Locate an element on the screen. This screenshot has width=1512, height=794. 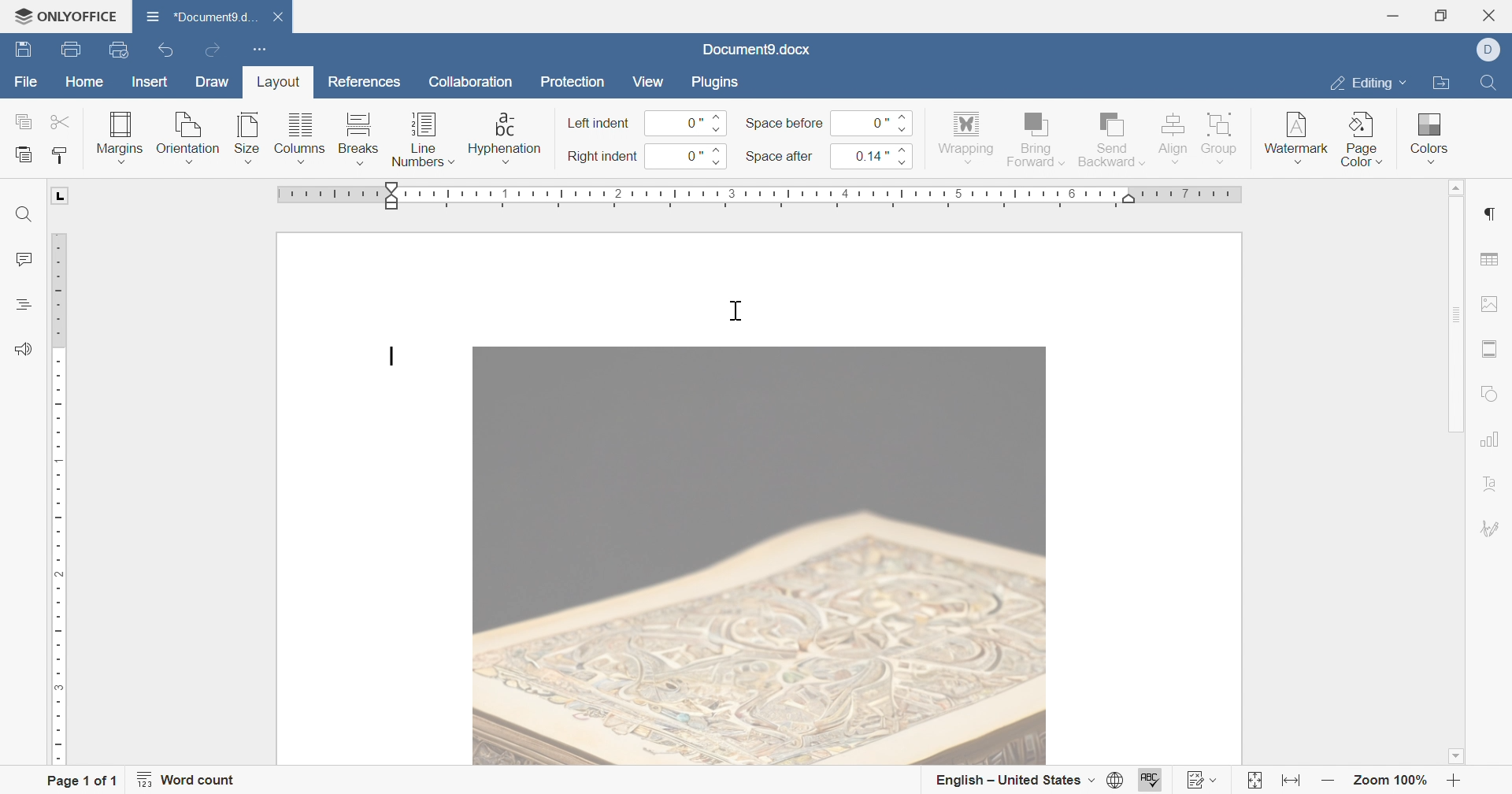
english - united states is located at coordinates (1014, 781).